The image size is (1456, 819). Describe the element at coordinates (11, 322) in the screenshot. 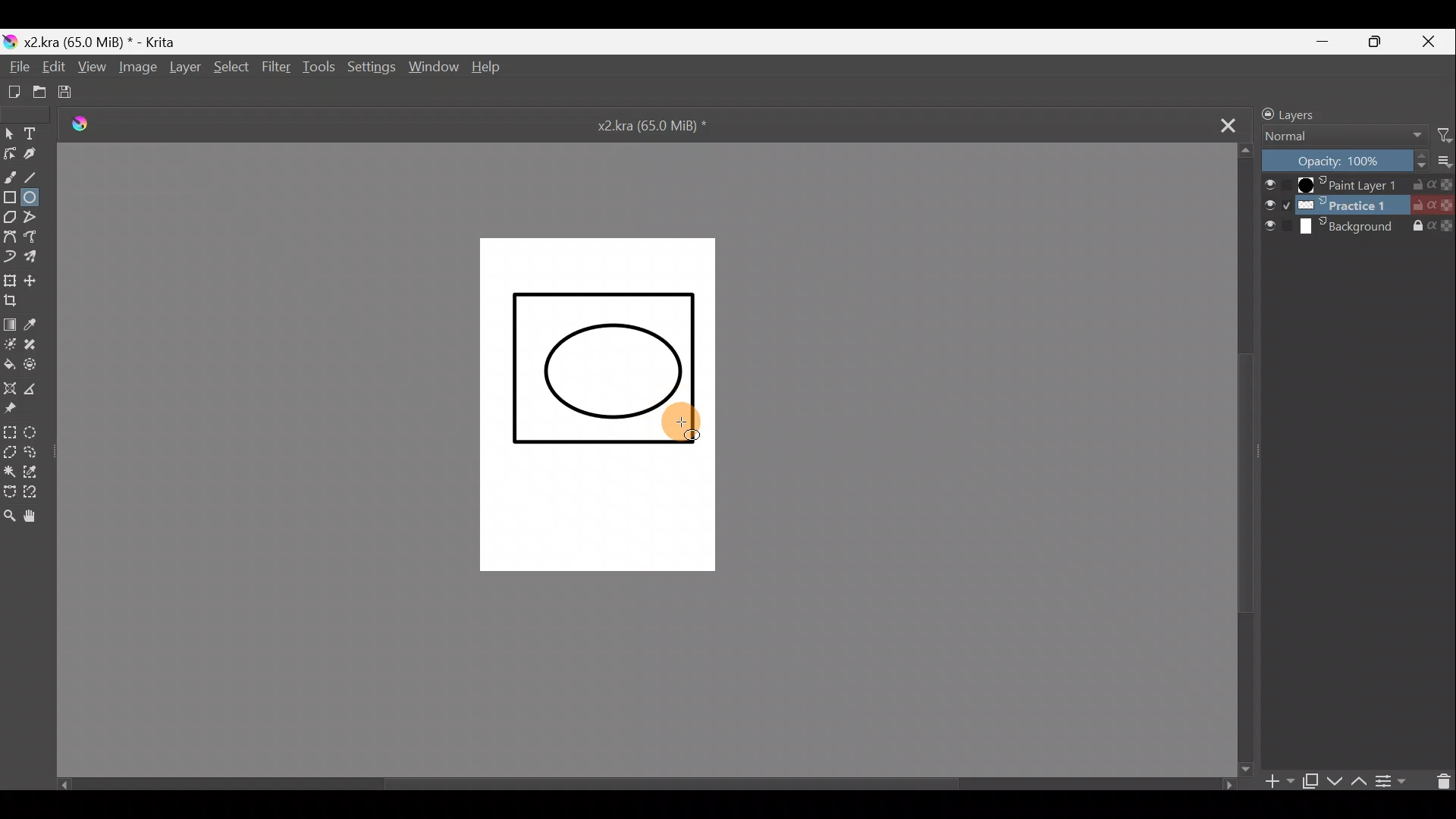

I see `Draw a gradient` at that location.